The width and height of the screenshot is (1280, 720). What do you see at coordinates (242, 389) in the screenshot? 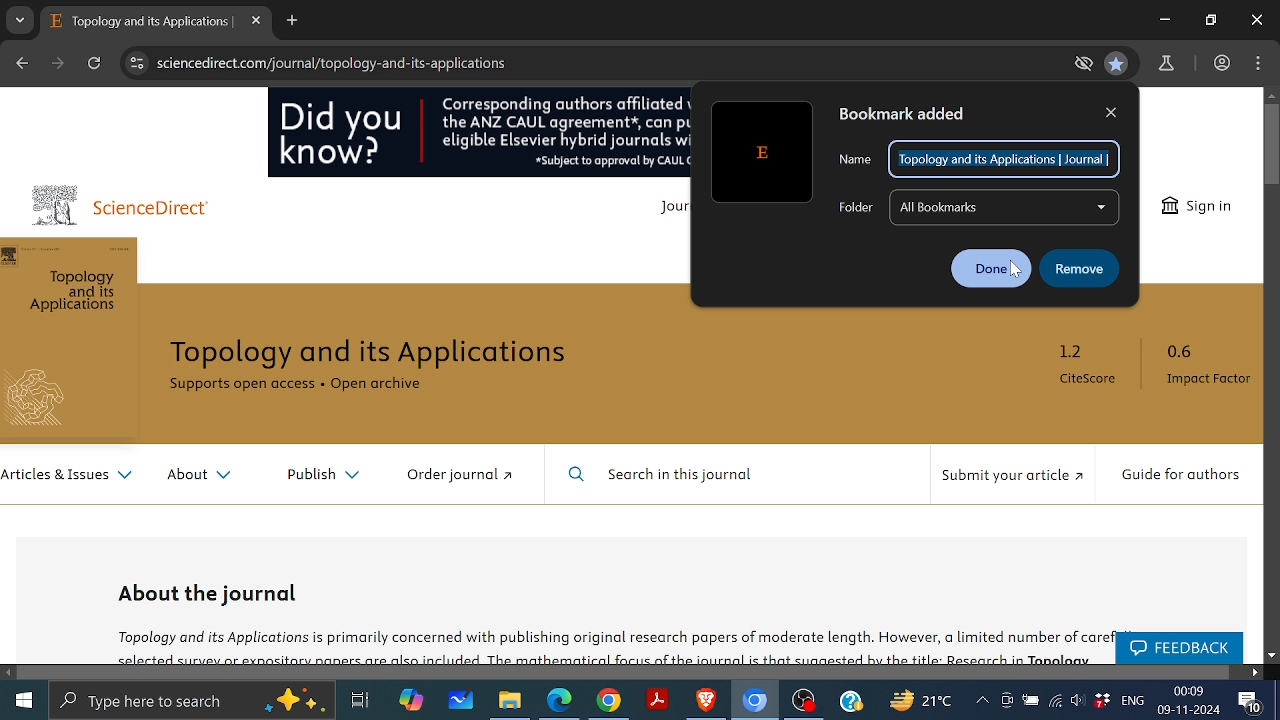
I see `support open access` at bounding box center [242, 389].